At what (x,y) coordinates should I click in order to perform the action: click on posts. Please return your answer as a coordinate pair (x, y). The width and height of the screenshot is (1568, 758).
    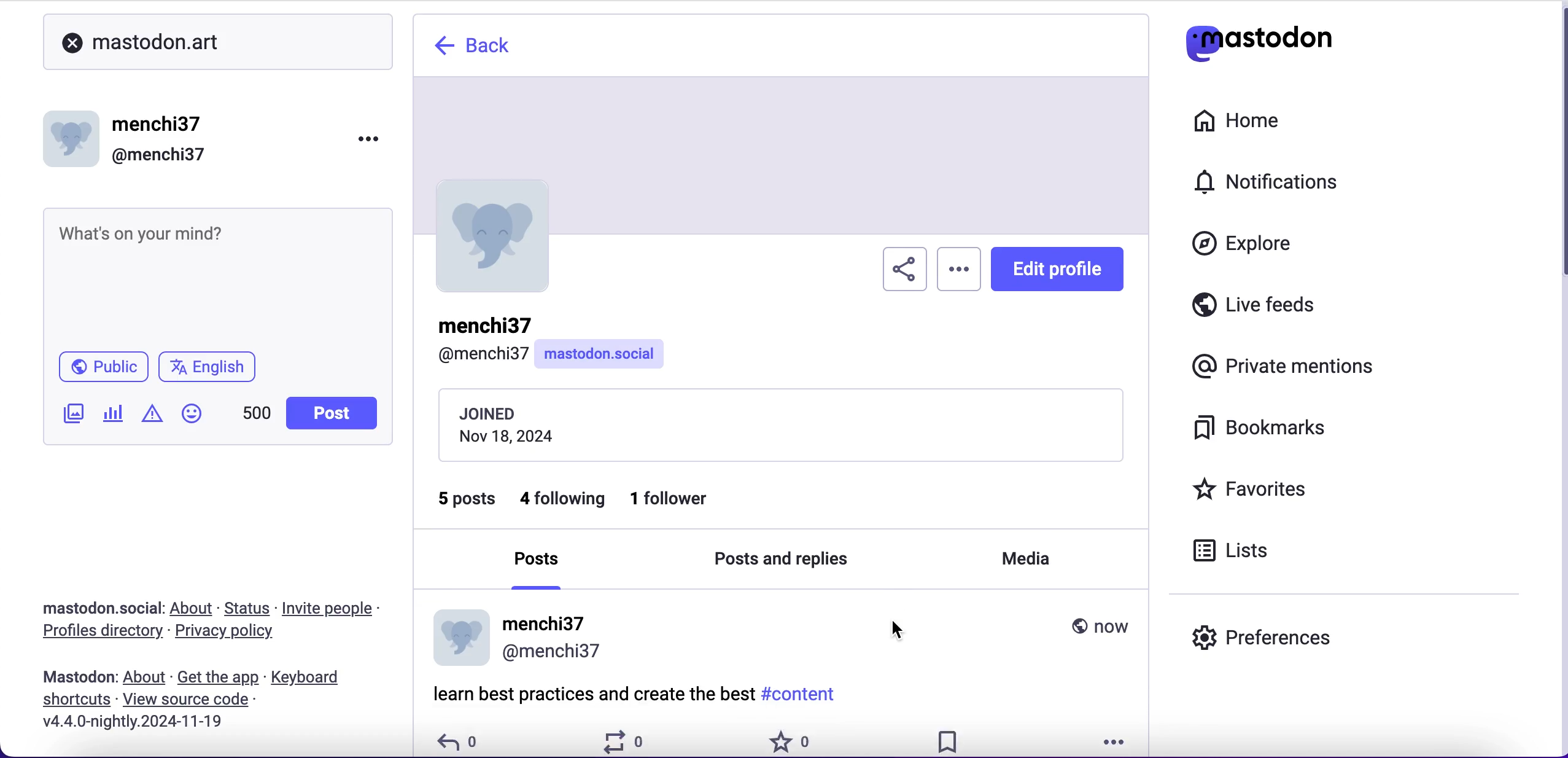
    Looking at the image, I should click on (539, 571).